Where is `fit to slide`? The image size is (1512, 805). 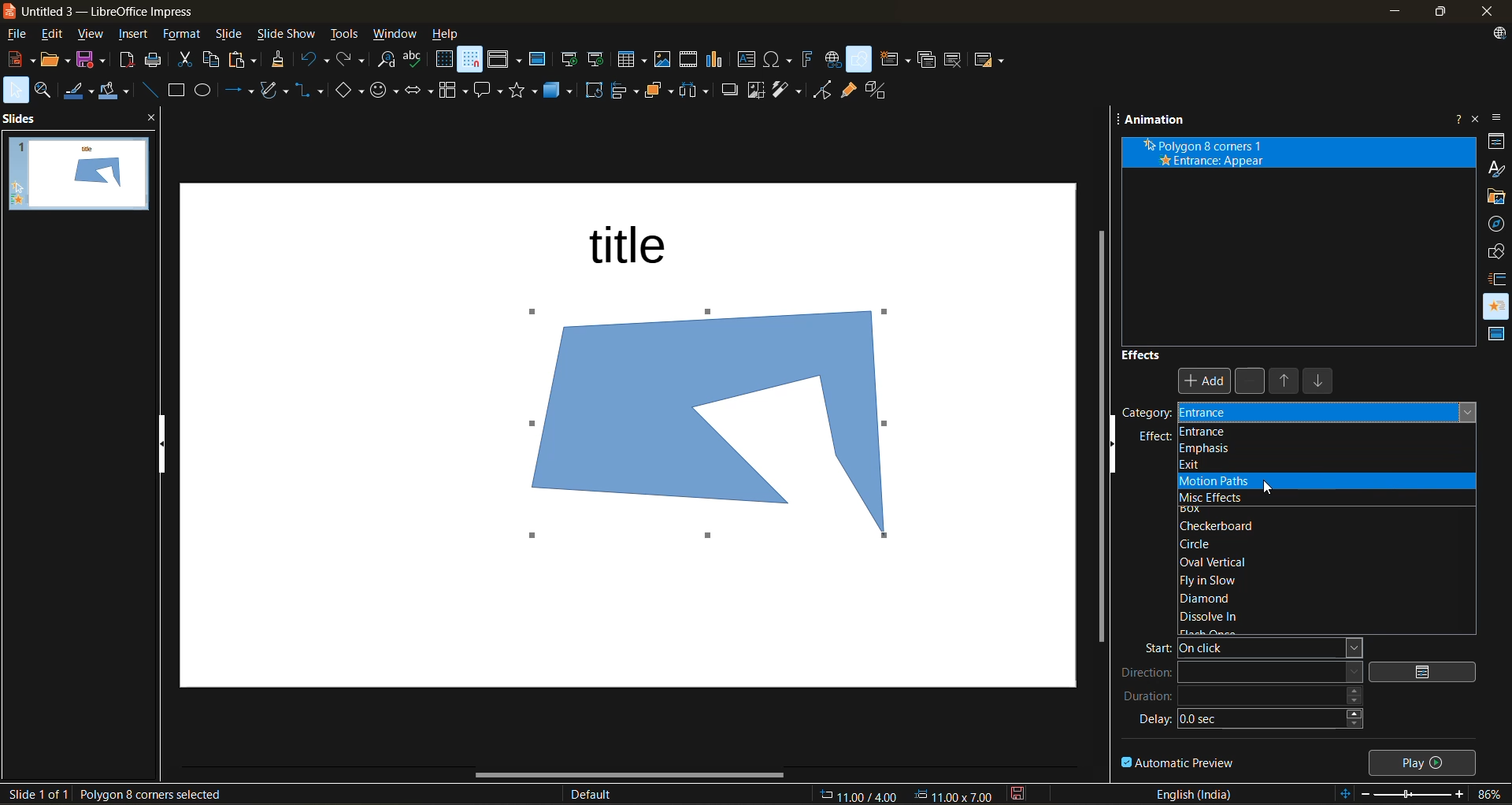 fit to slide is located at coordinates (1342, 792).